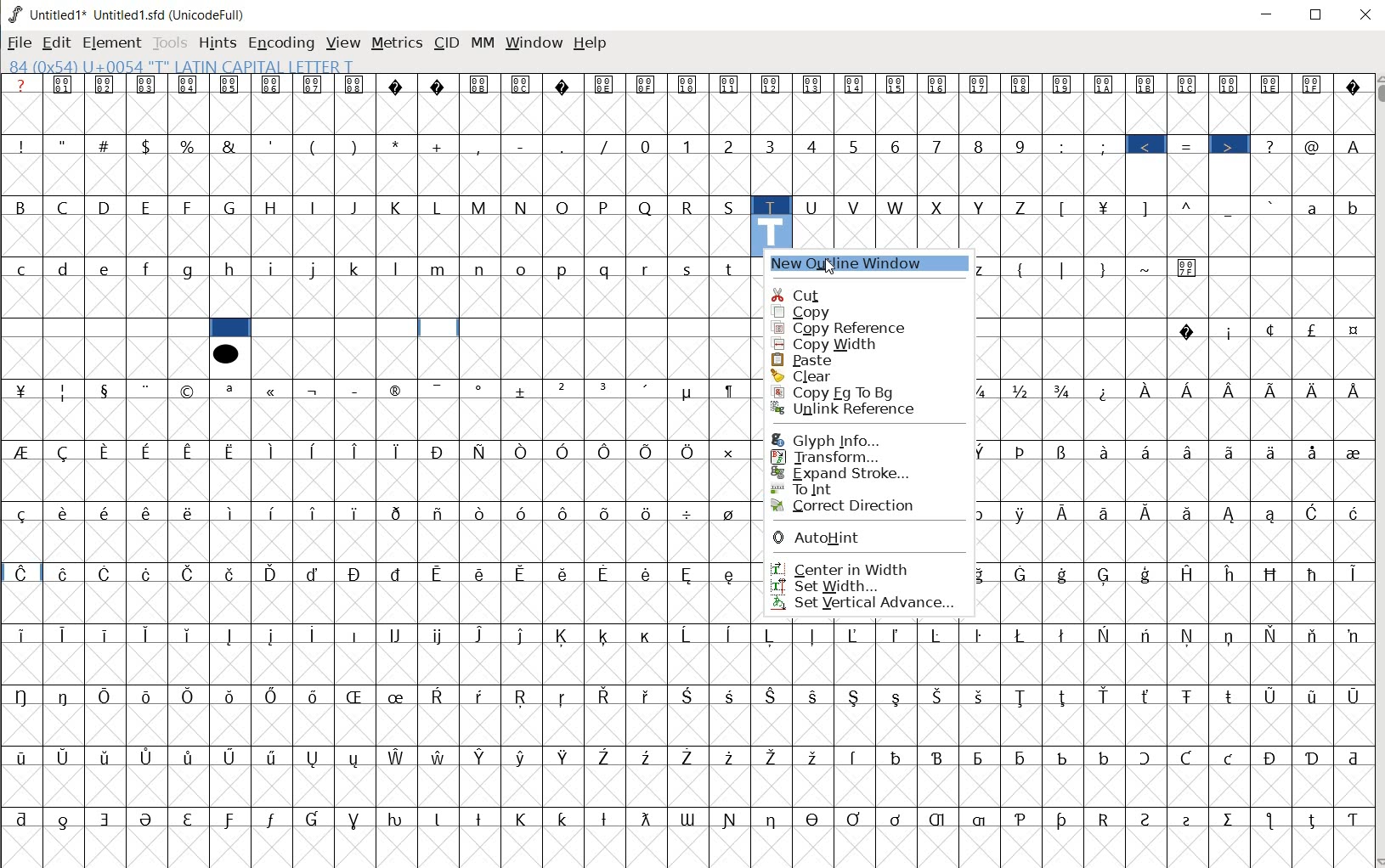 The image size is (1385, 868). Describe the element at coordinates (982, 513) in the screenshot. I see `Symbol` at that location.